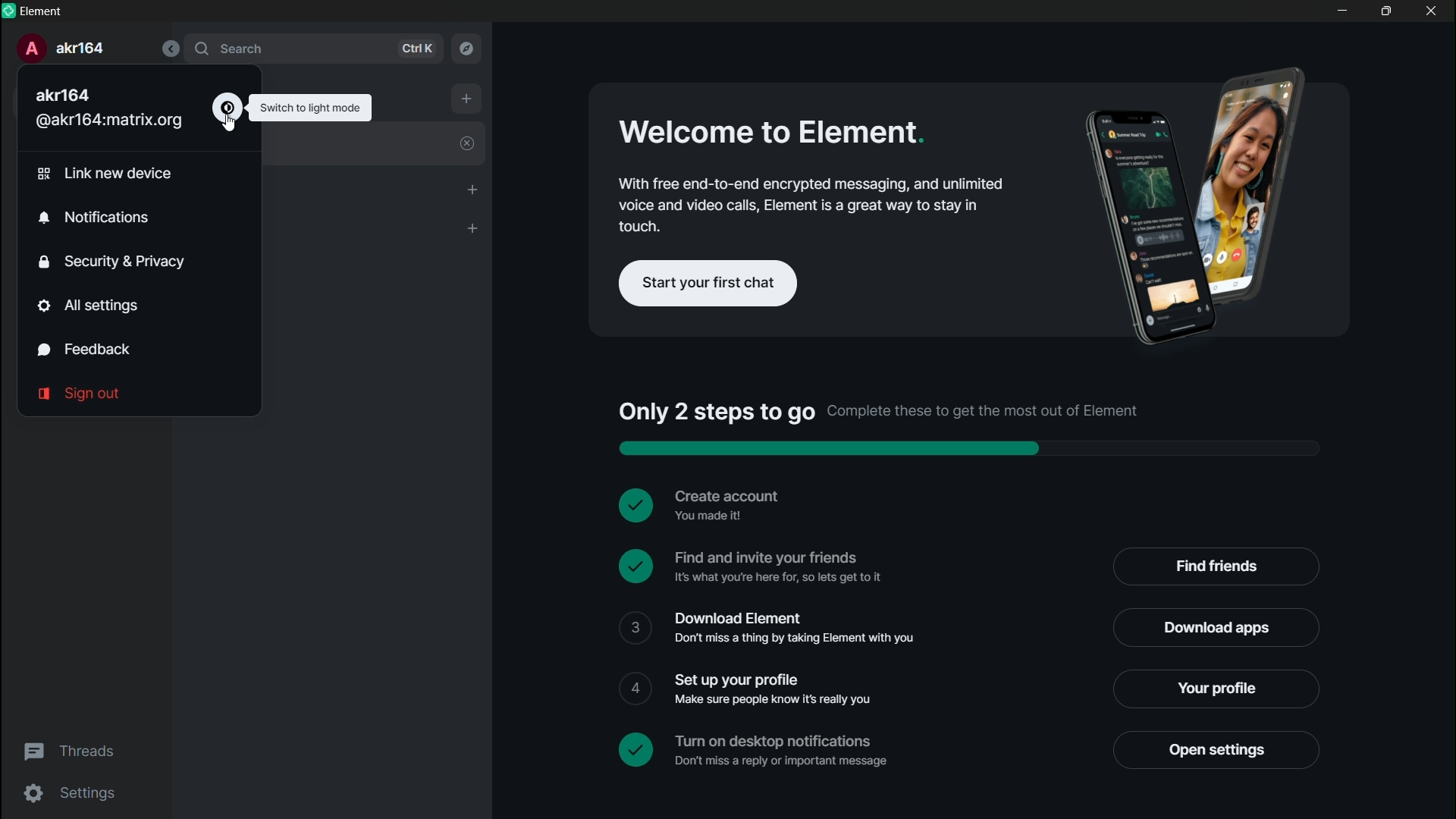  I want to click on Set up your profile make sure people know its really you, so click(777, 687).